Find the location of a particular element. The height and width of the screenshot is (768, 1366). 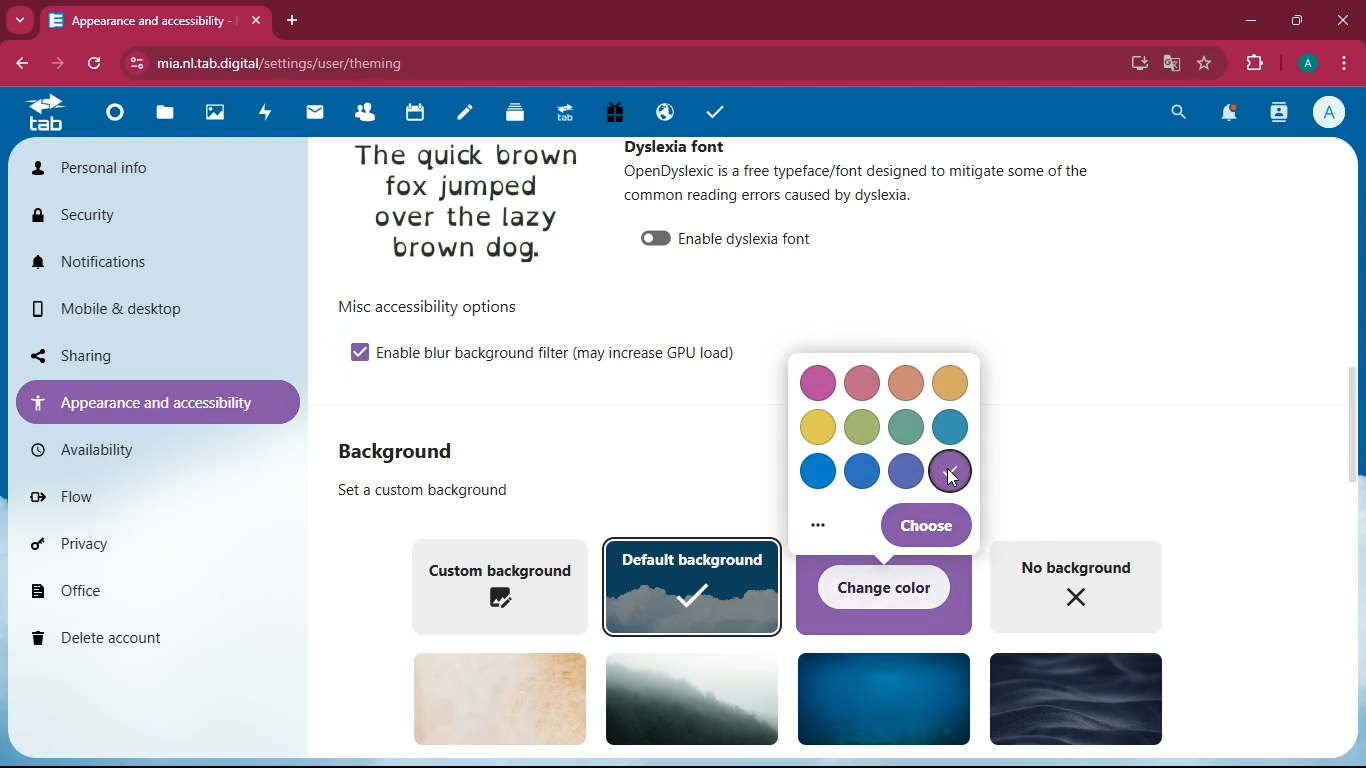

color is located at coordinates (863, 471).